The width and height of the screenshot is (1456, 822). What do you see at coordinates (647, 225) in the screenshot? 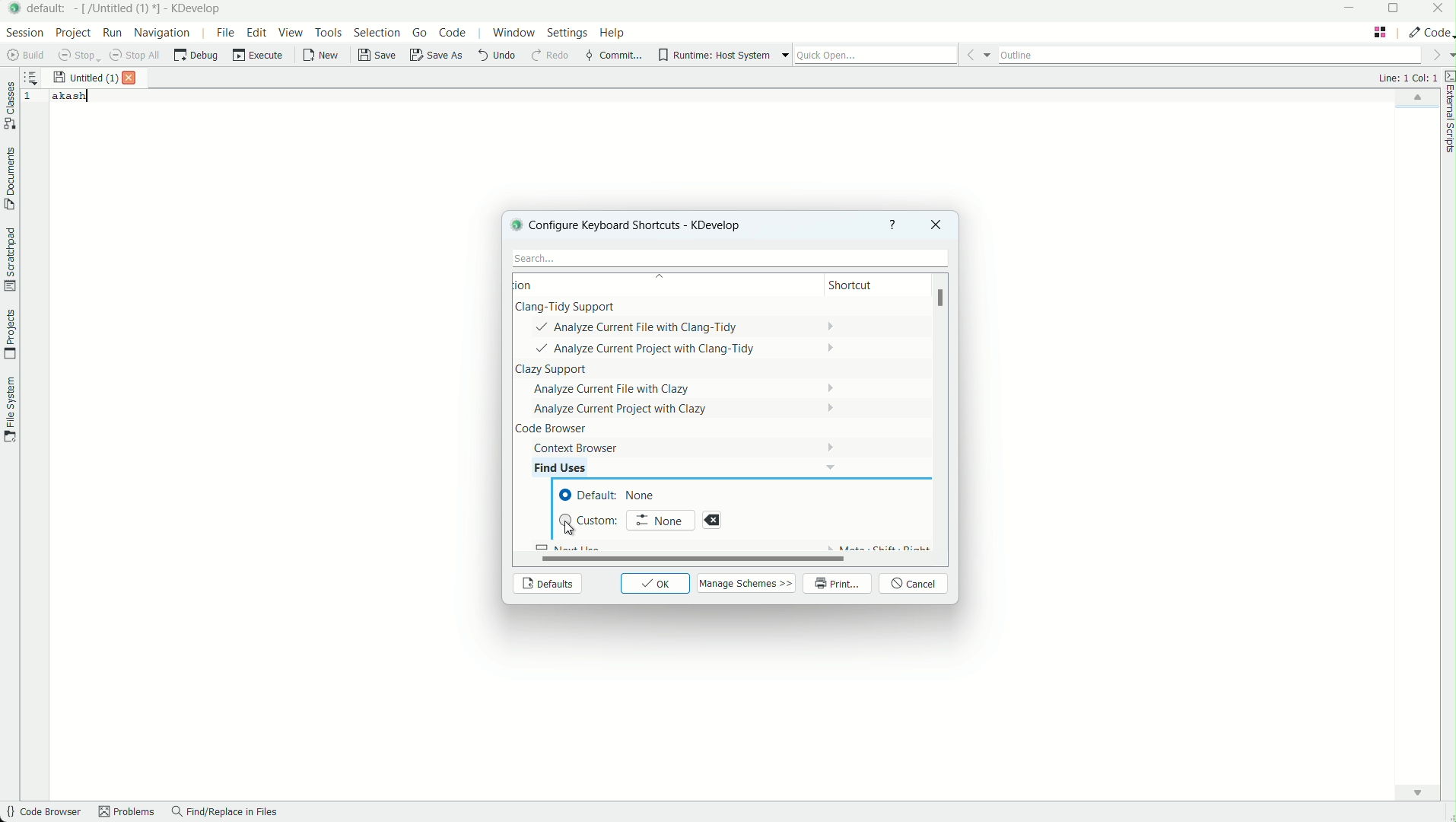
I see `configure keyboard shortcuts` at bounding box center [647, 225].